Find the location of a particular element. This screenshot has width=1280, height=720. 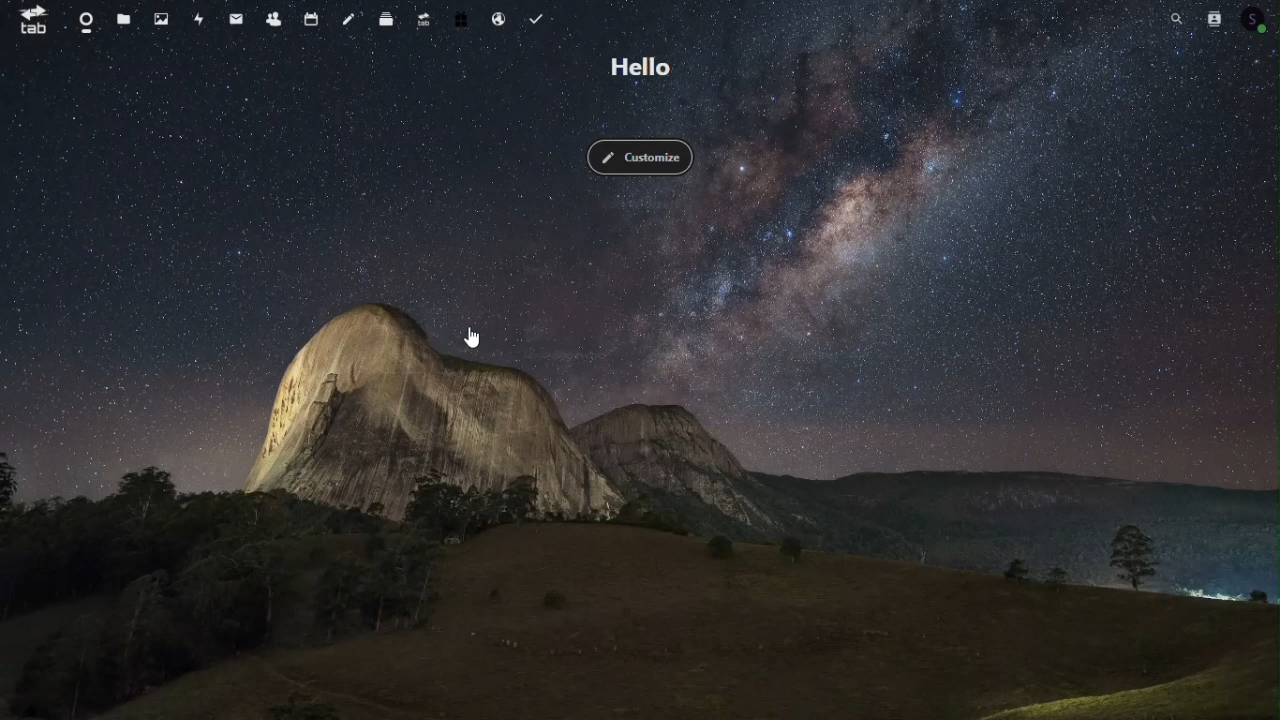

Free trial is located at coordinates (460, 21).